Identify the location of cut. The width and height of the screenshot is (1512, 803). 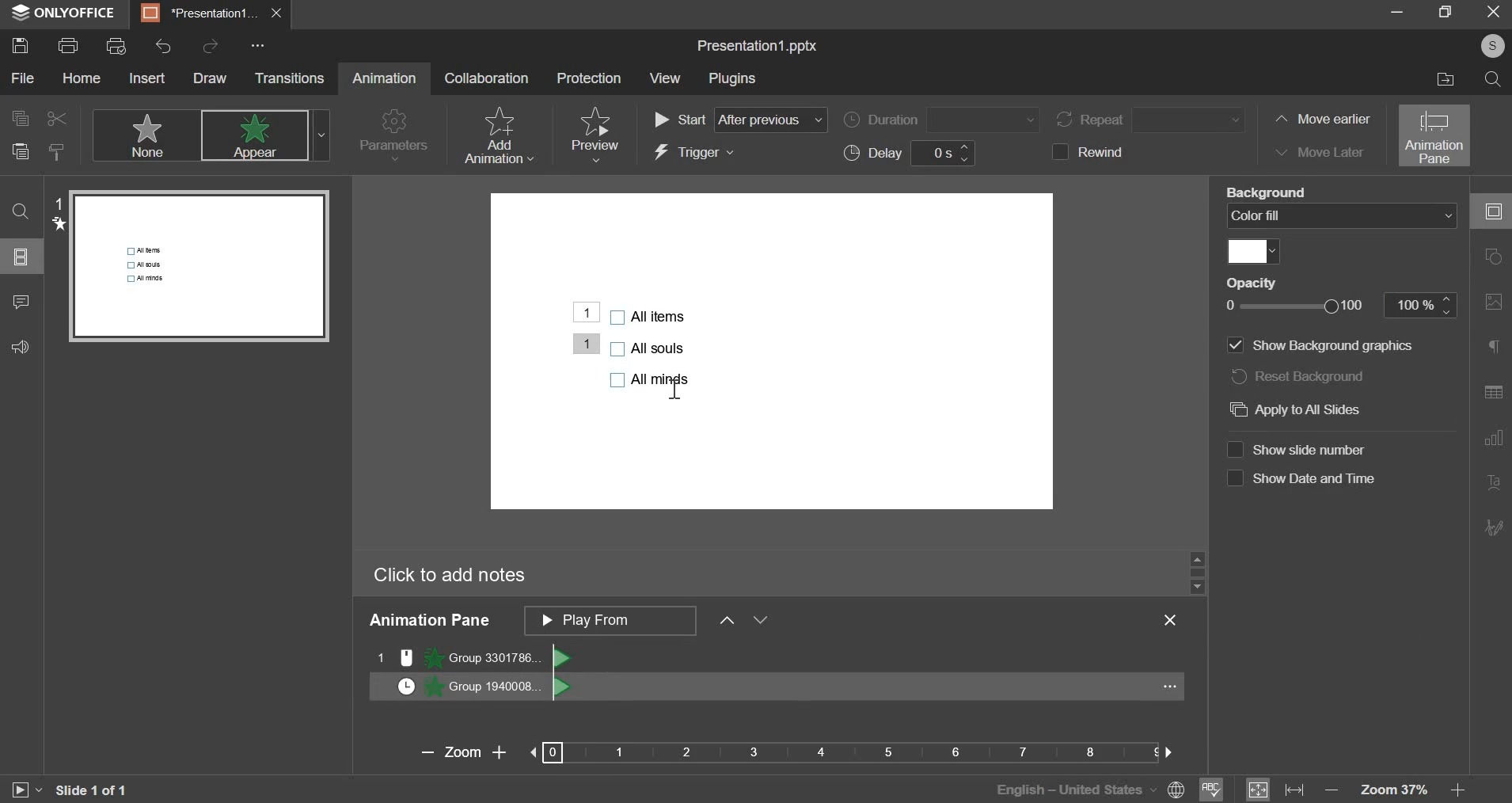
(54, 118).